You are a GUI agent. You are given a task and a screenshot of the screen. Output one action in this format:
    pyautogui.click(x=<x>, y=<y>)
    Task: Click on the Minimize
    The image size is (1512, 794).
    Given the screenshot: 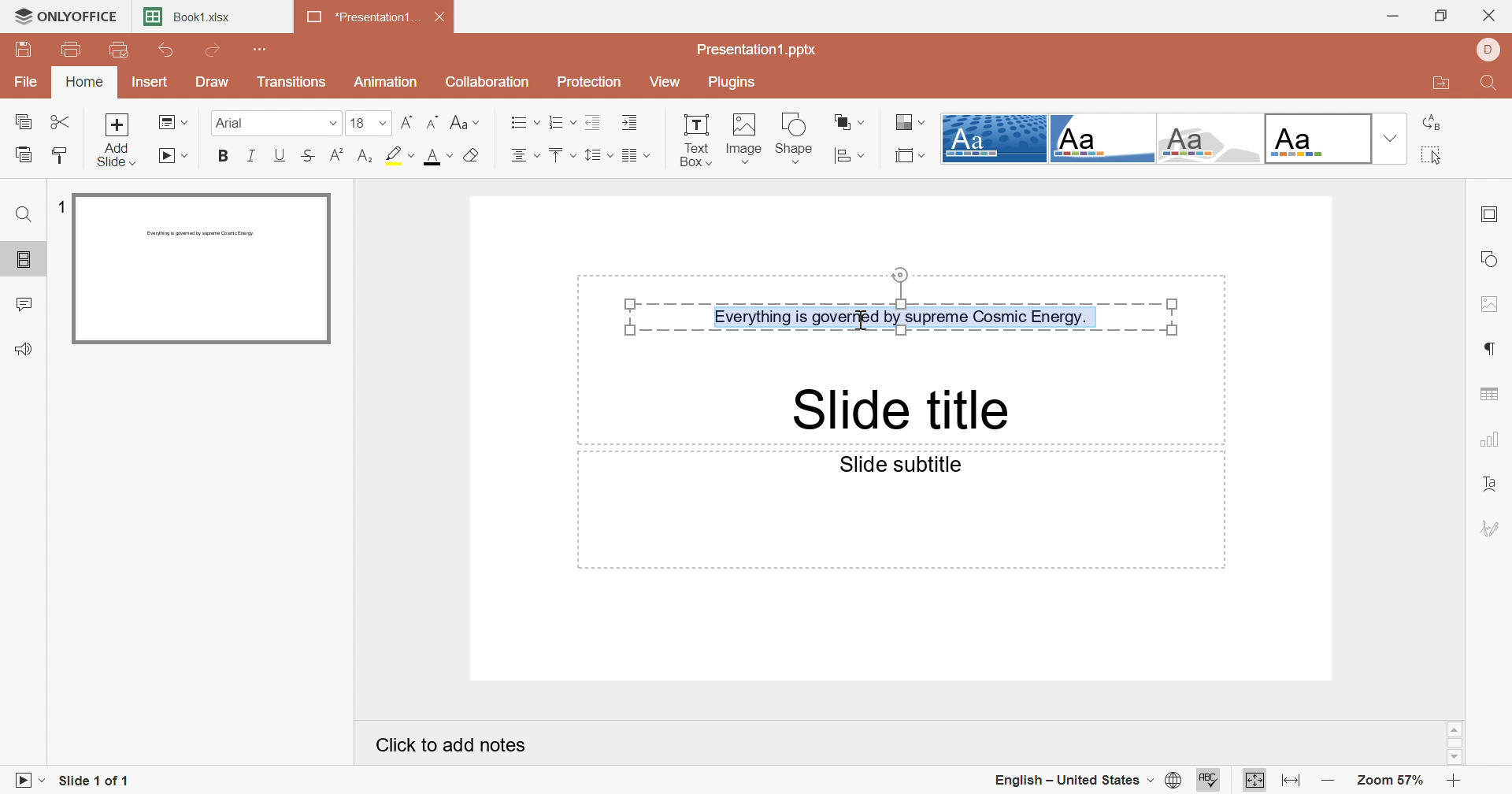 What is the action you would take?
    pyautogui.click(x=1394, y=17)
    